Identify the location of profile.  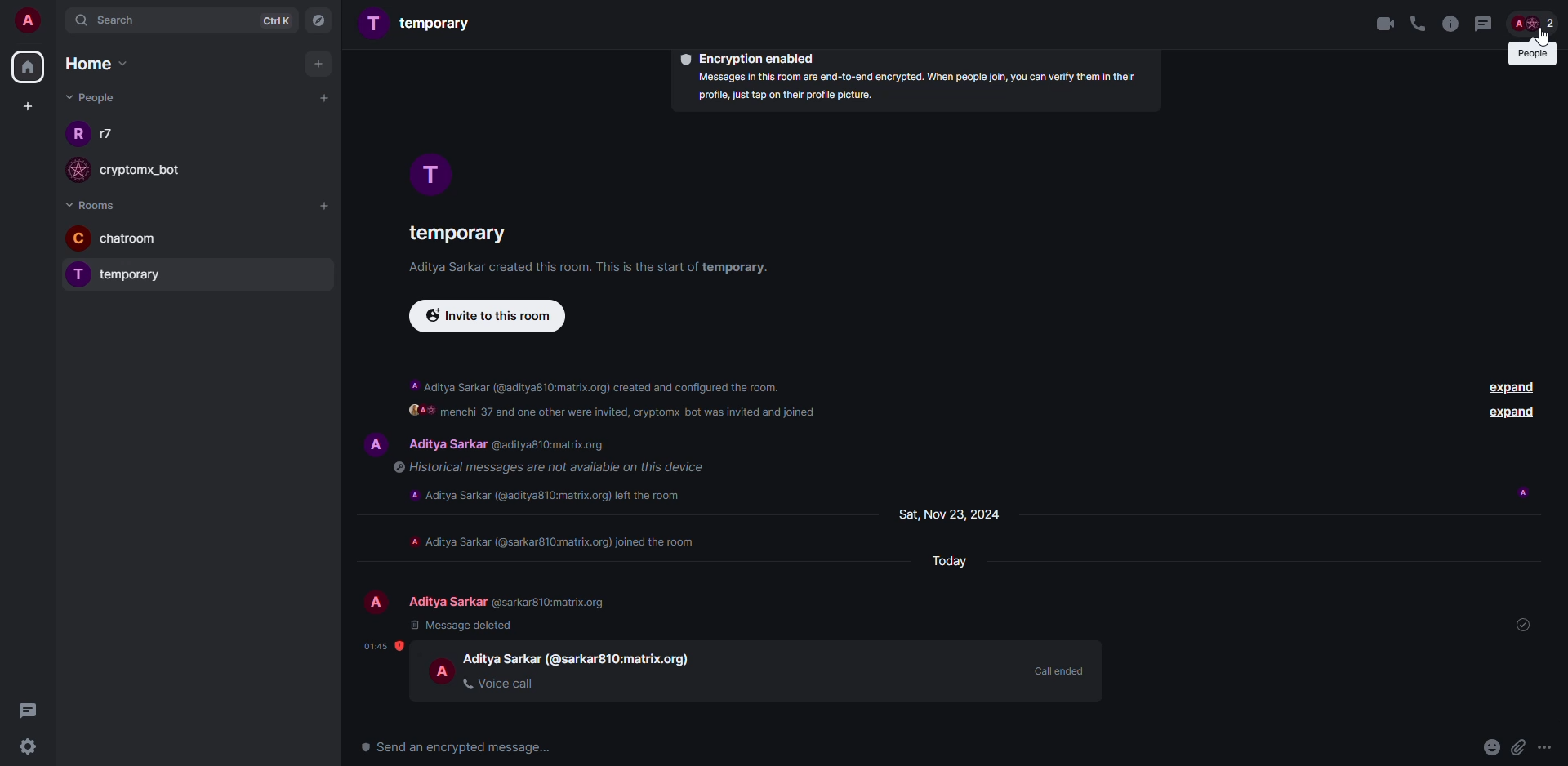
(79, 238).